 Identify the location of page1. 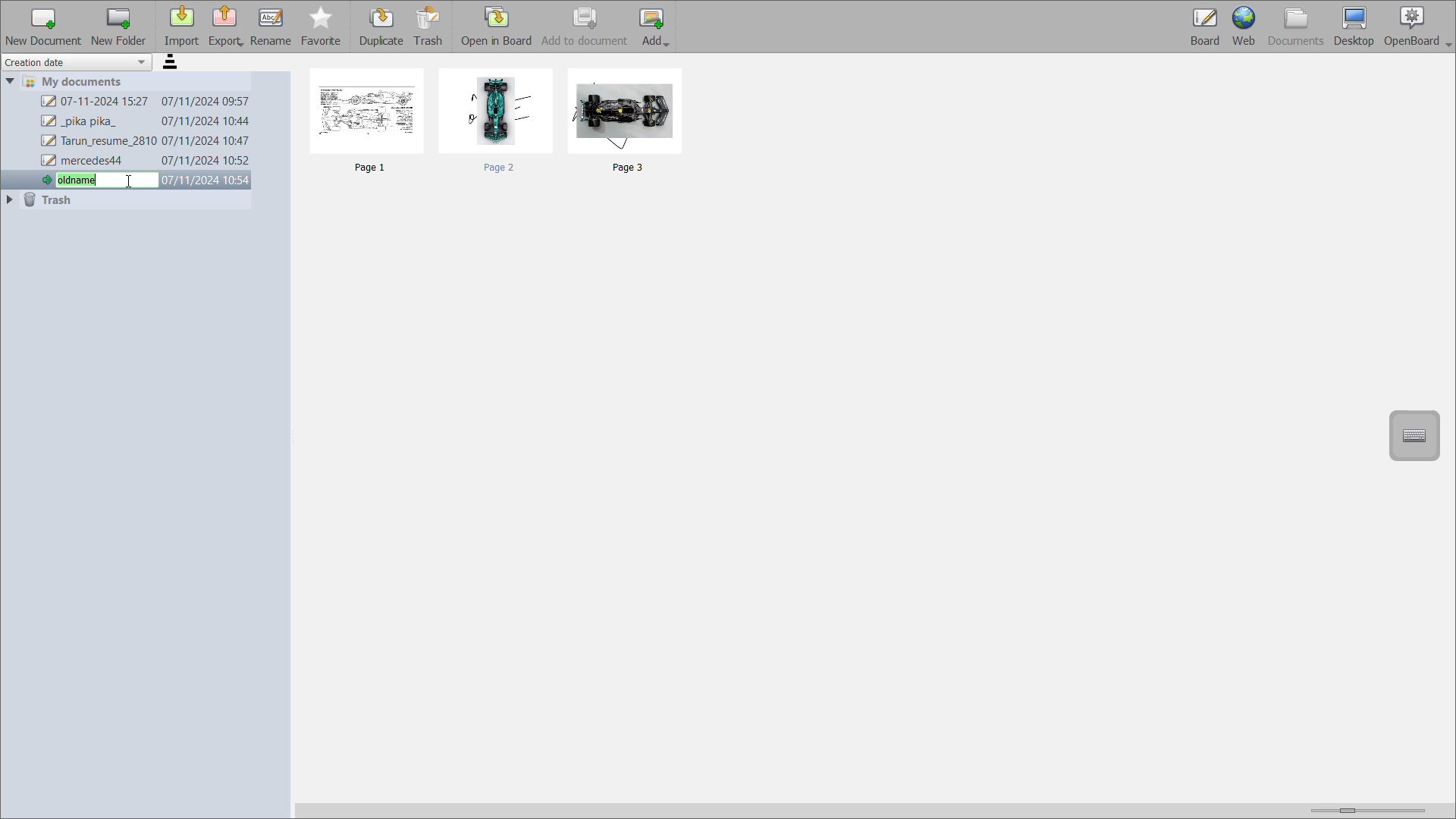
(372, 124).